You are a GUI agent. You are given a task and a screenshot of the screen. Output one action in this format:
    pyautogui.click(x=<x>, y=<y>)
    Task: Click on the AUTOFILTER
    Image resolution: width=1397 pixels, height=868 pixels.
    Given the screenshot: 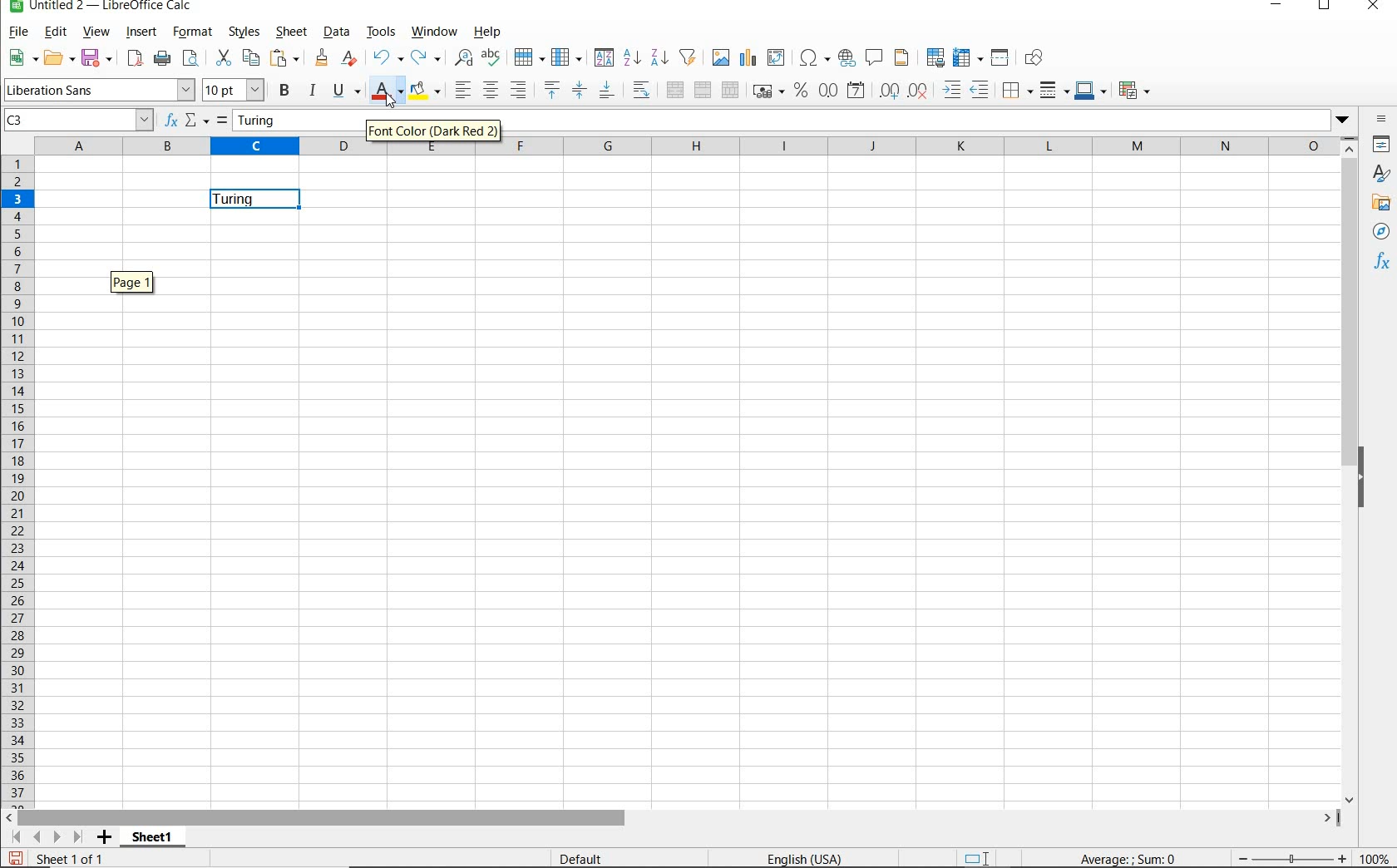 What is the action you would take?
    pyautogui.click(x=689, y=57)
    